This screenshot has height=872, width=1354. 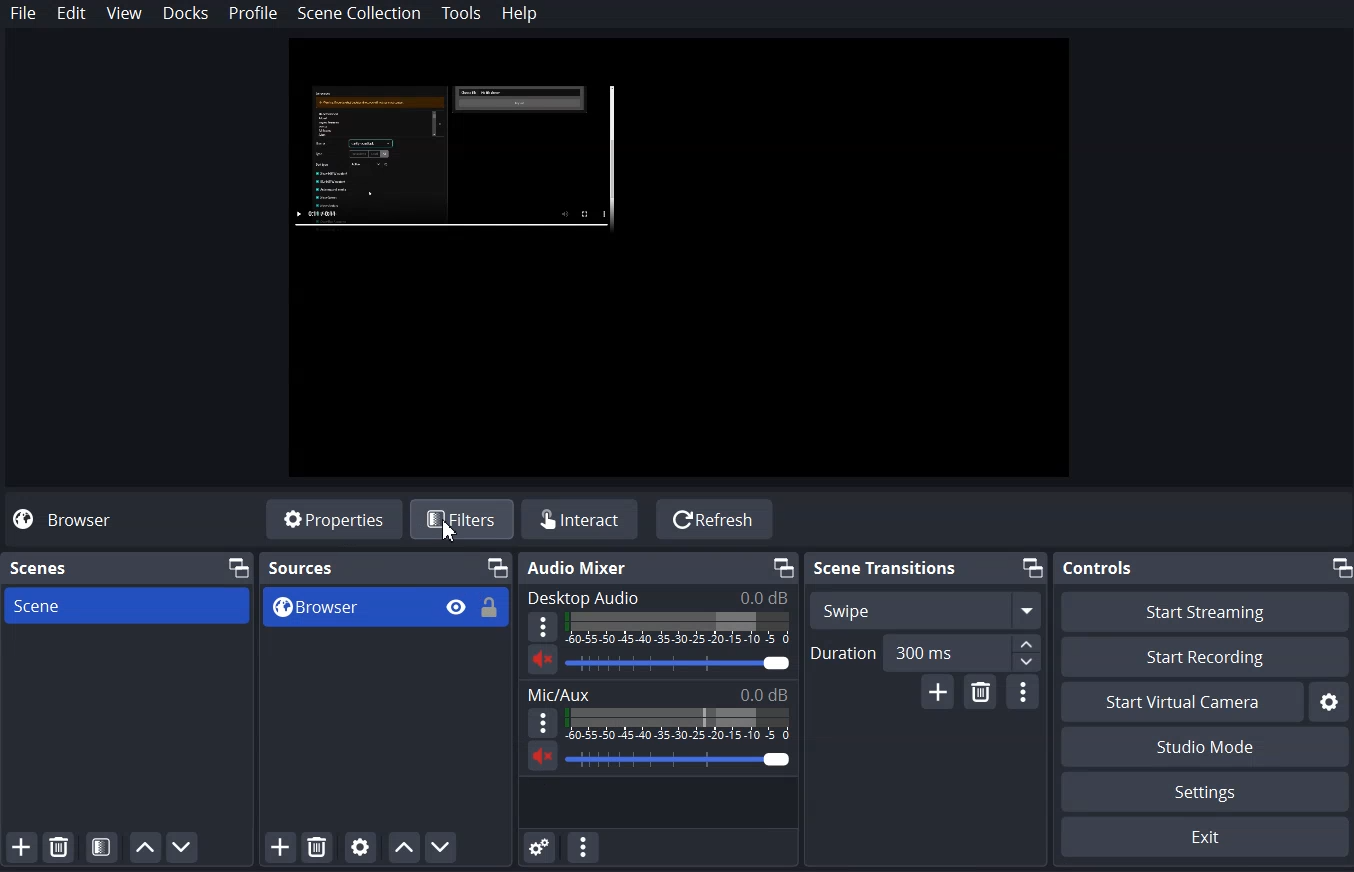 I want to click on Volume Indicator, so click(x=678, y=723).